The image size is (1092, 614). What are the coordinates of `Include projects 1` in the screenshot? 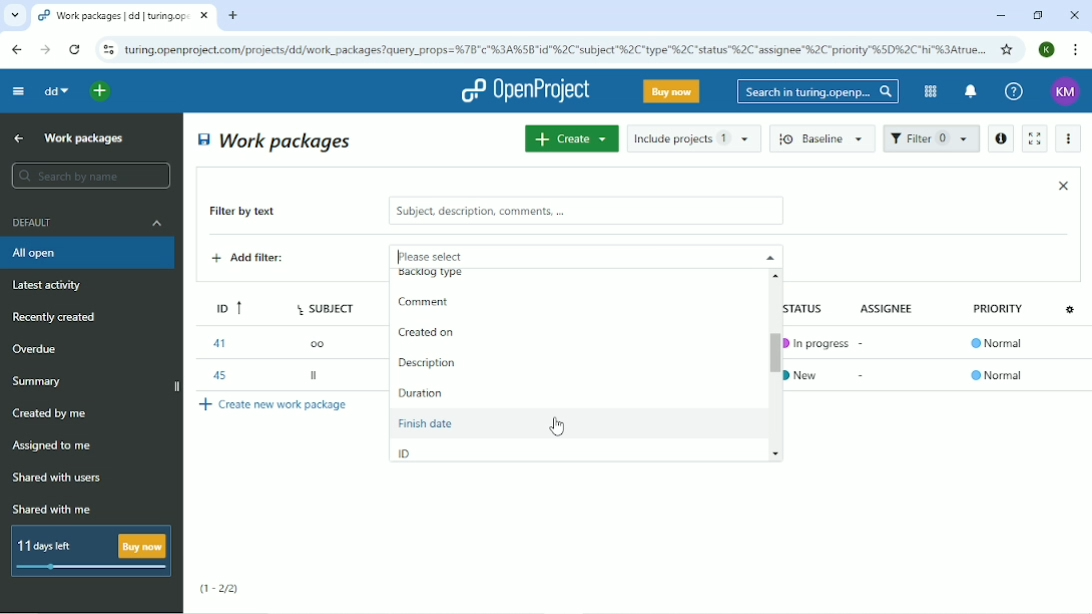 It's located at (694, 138).